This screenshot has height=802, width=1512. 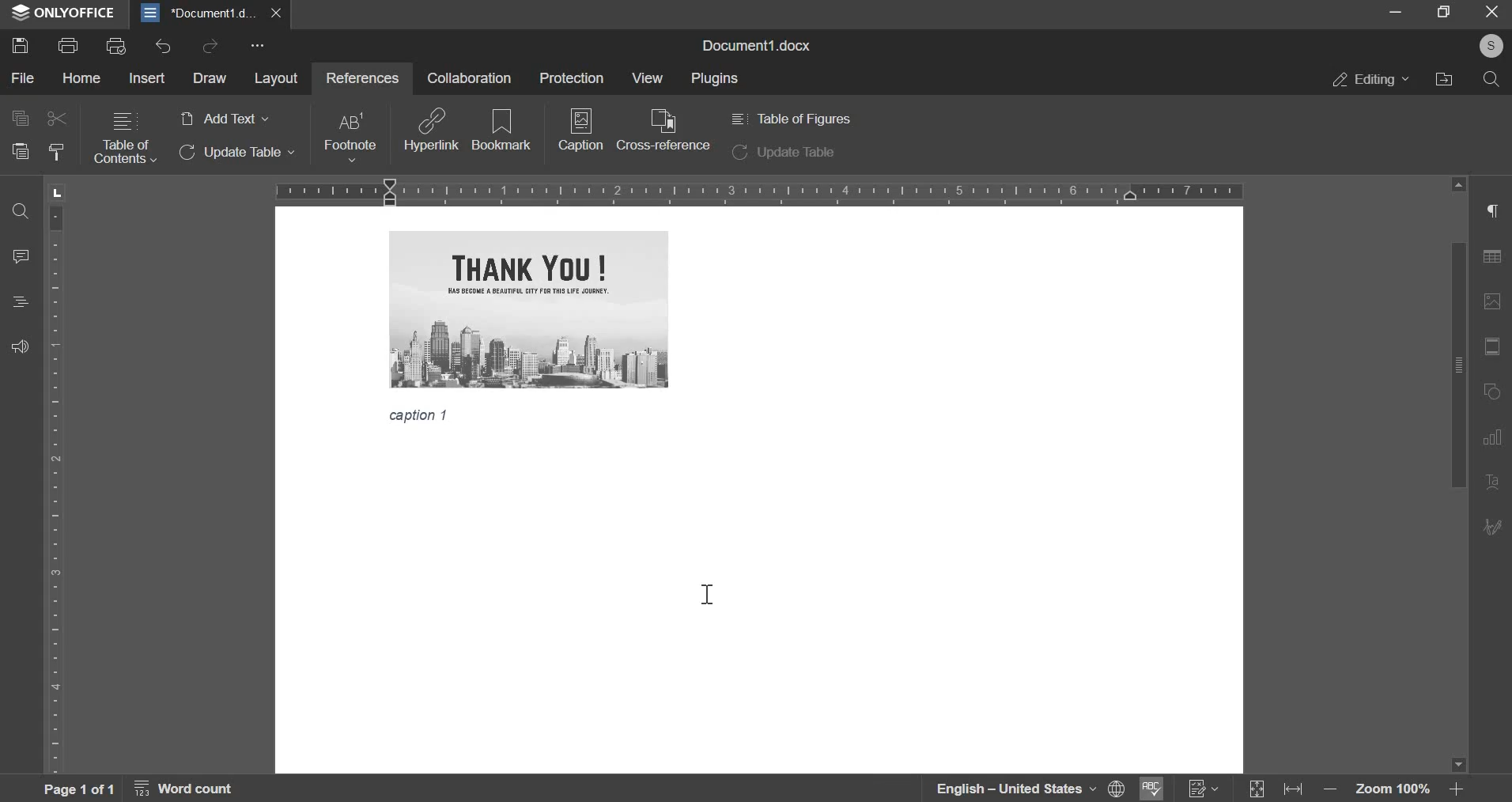 What do you see at coordinates (529, 309) in the screenshot?
I see `image` at bounding box center [529, 309].